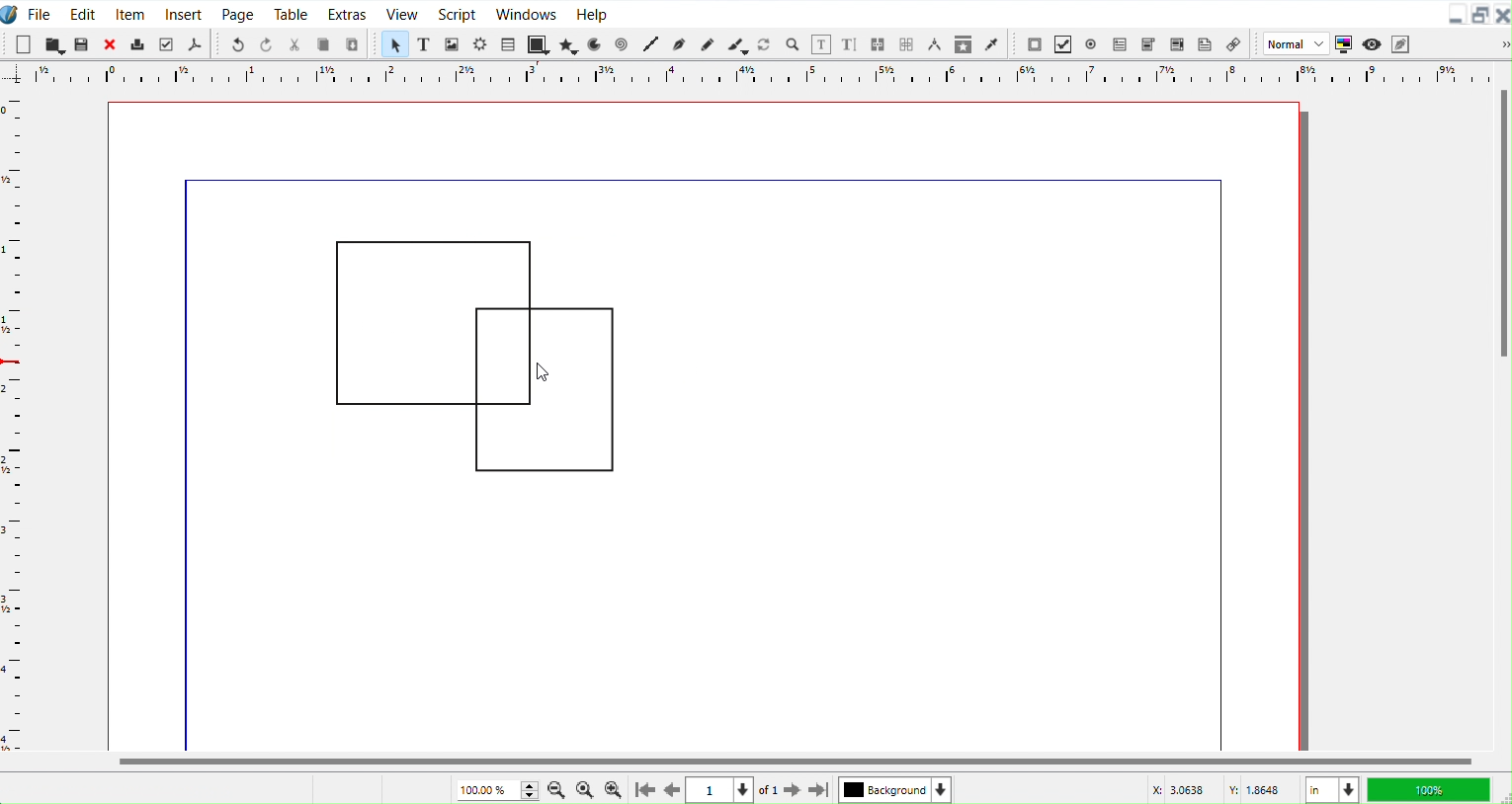 The width and height of the screenshot is (1512, 804). Describe the element at coordinates (348, 13) in the screenshot. I see `Extras` at that location.